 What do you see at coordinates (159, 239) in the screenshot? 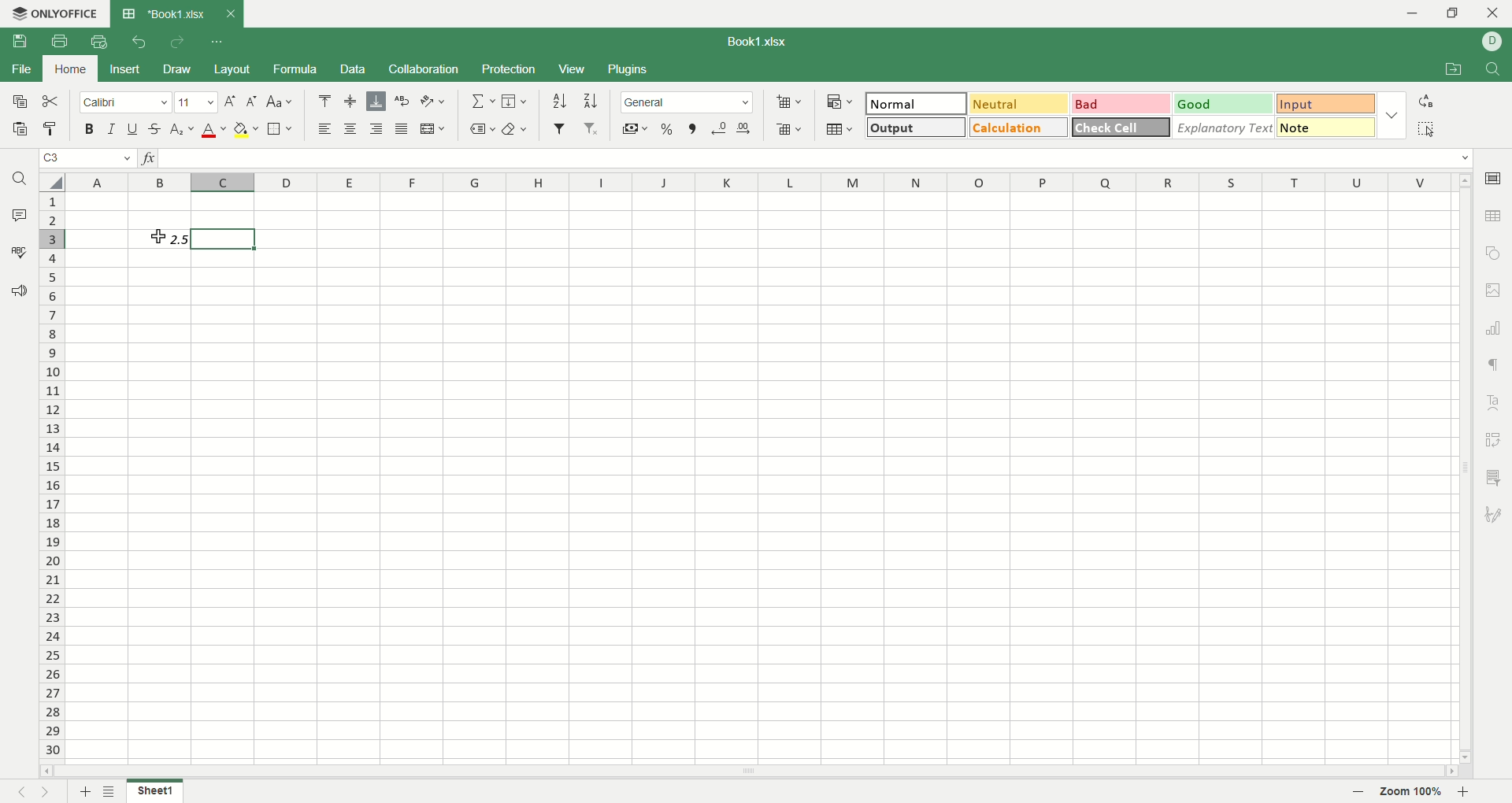
I see `active cell` at bounding box center [159, 239].